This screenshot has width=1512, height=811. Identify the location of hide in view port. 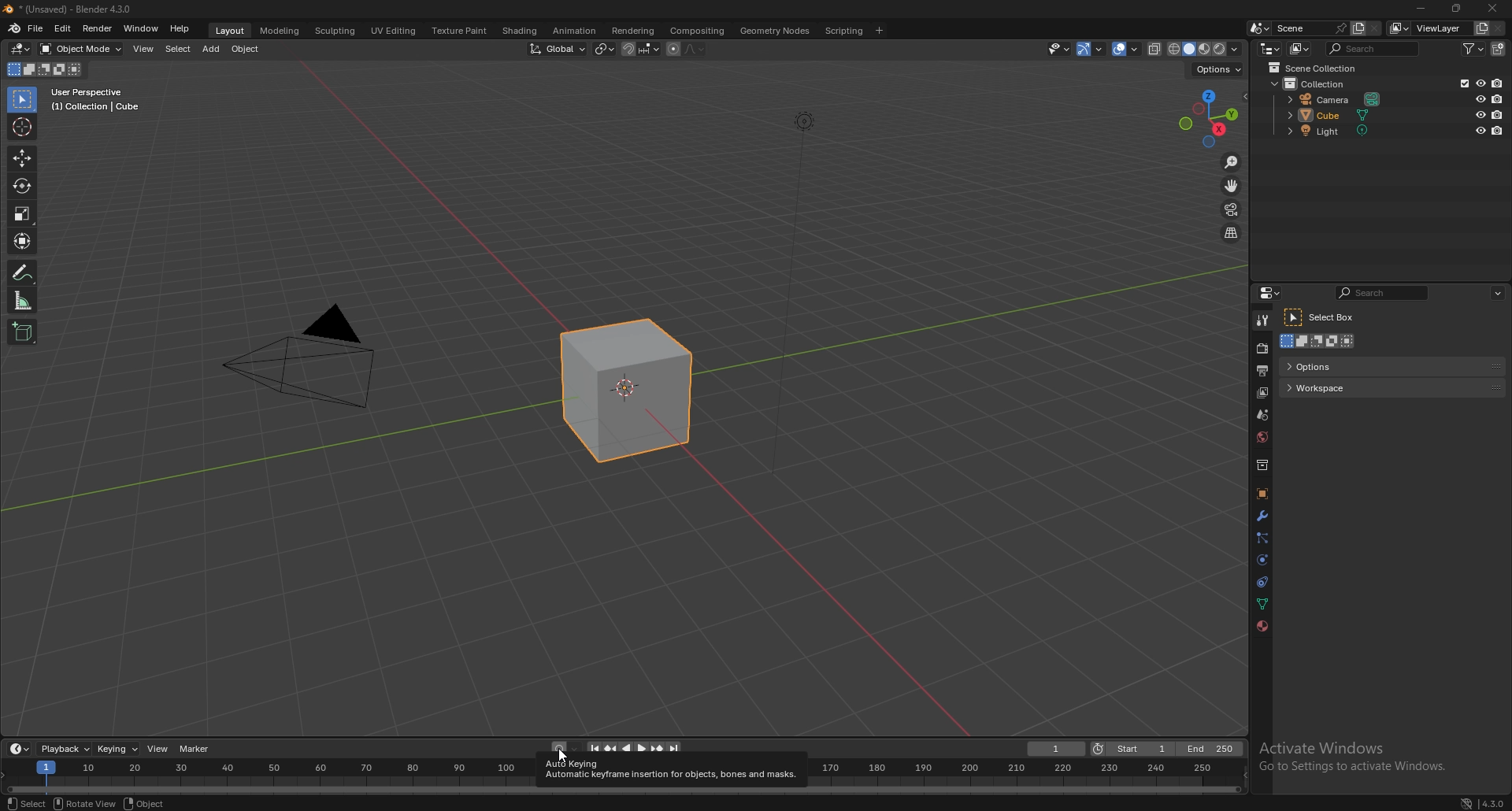
(1480, 83).